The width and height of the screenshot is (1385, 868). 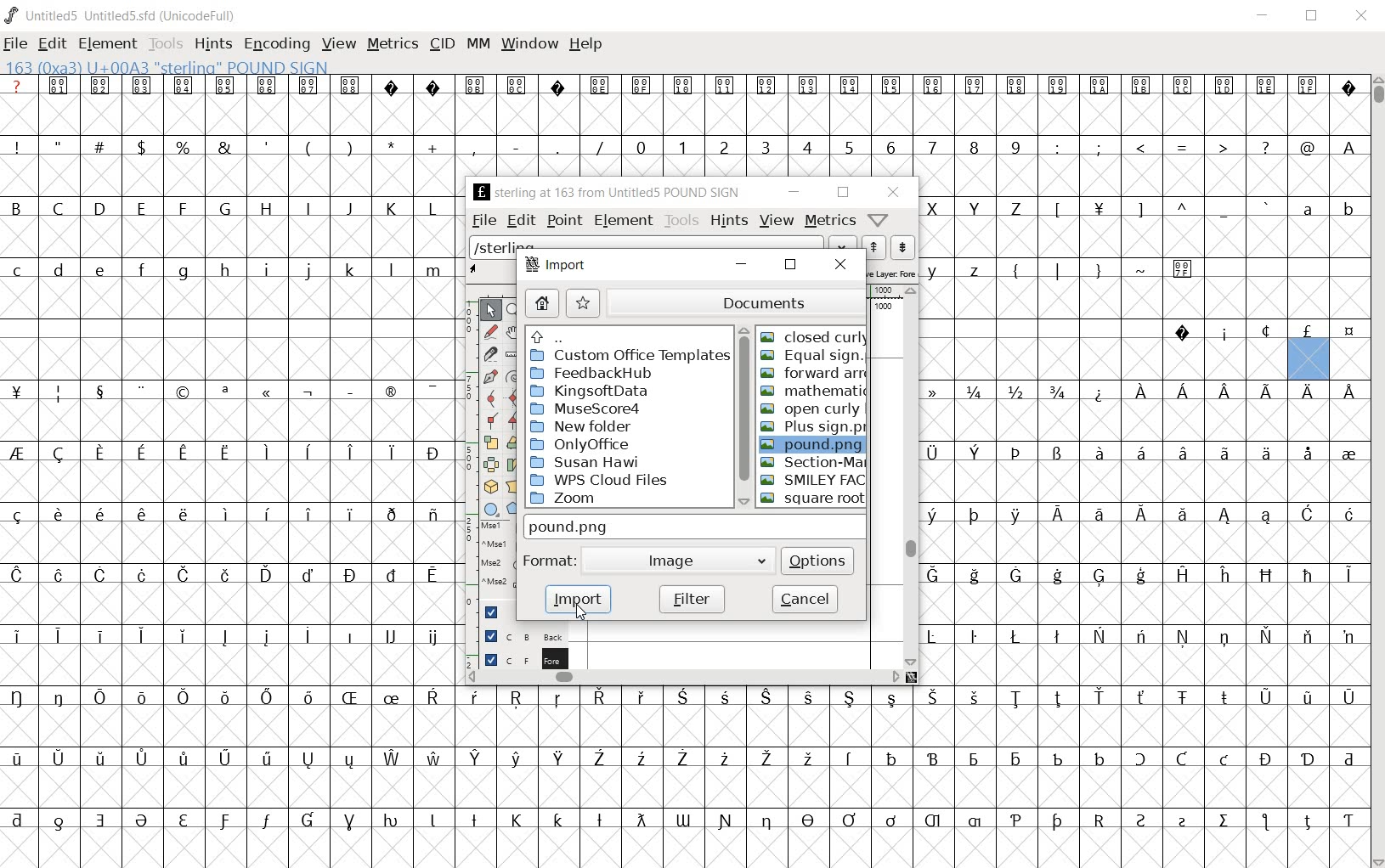 What do you see at coordinates (1224, 210) in the screenshot?
I see `_` at bounding box center [1224, 210].